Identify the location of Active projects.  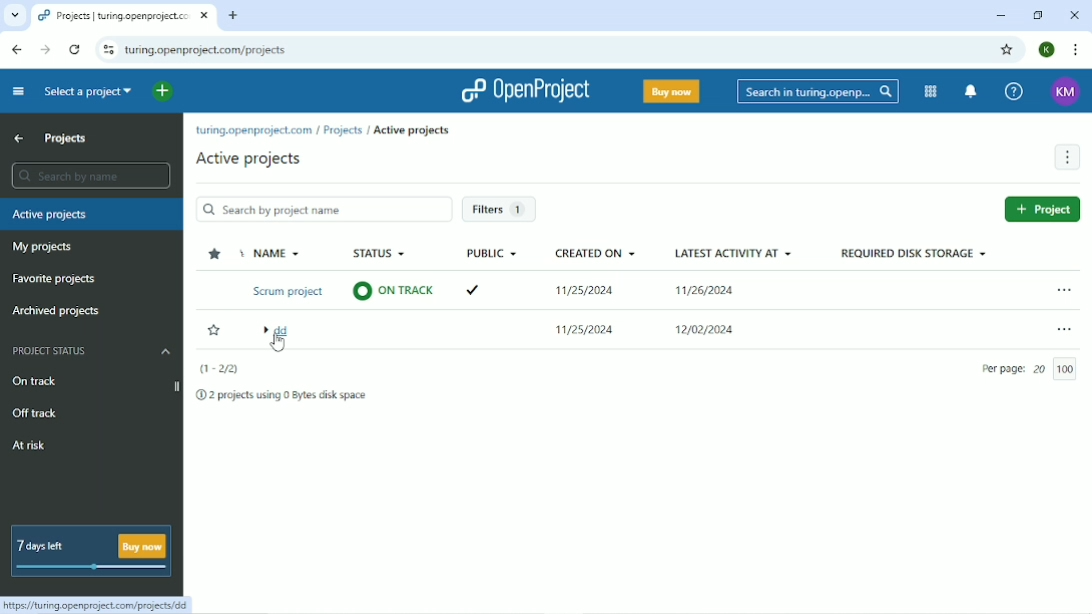
(418, 131).